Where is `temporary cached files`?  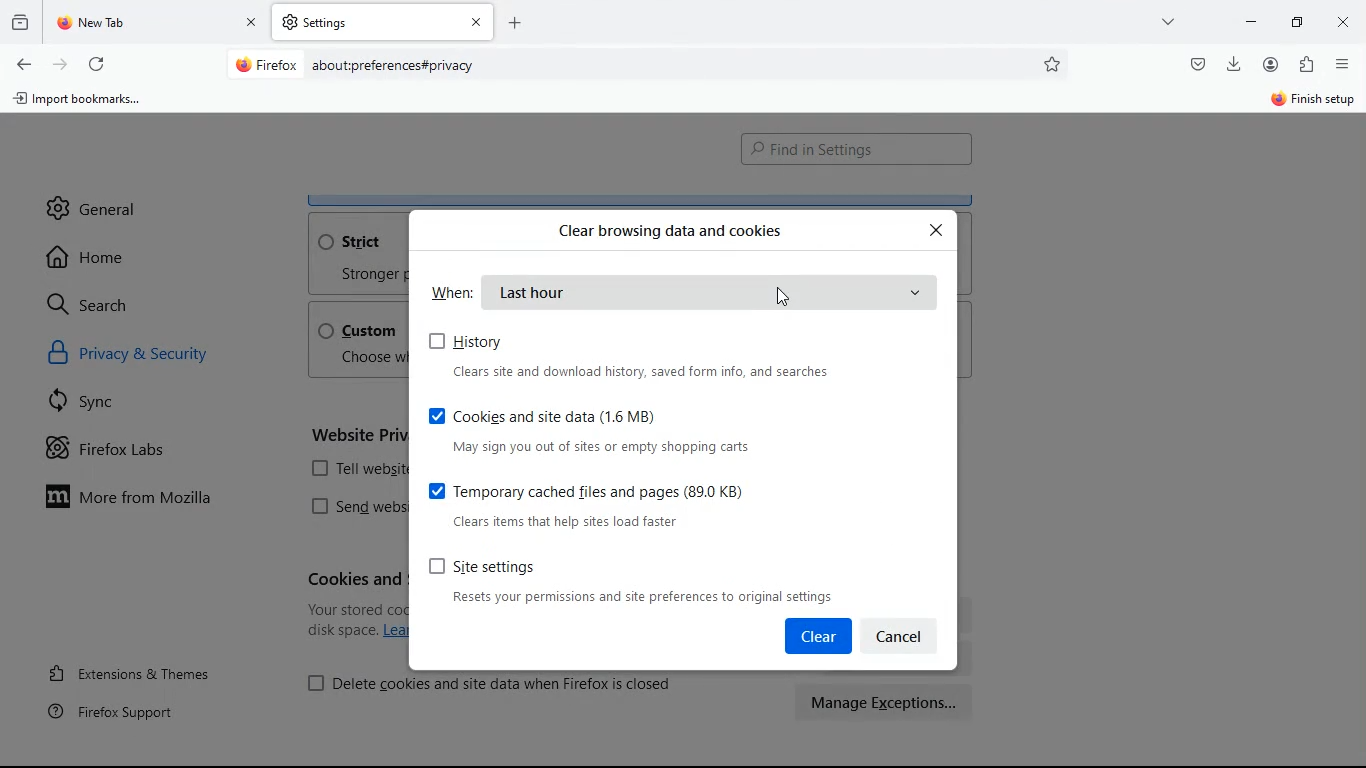
temporary cached files is located at coordinates (616, 503).